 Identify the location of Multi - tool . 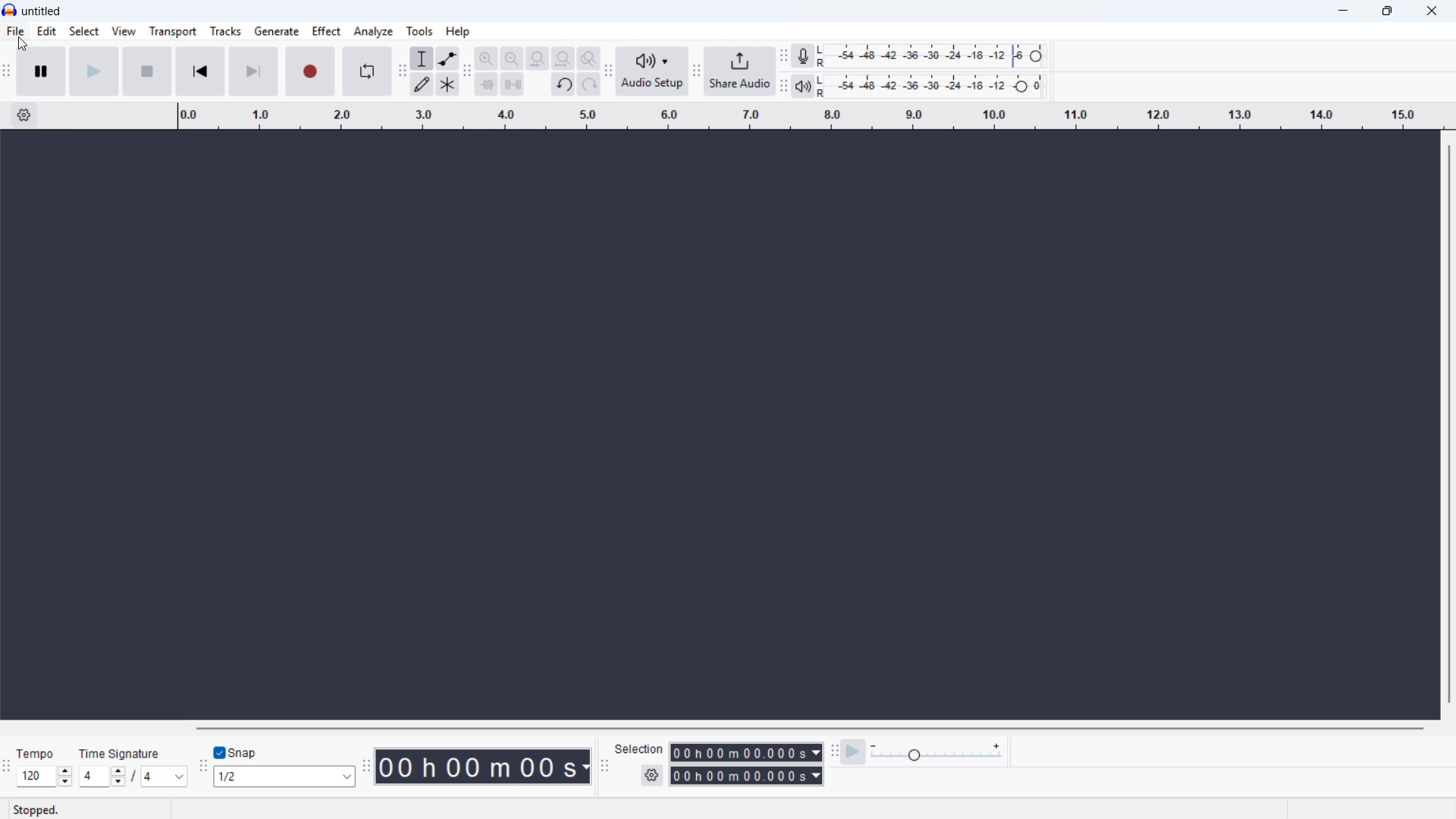
(448, 84).